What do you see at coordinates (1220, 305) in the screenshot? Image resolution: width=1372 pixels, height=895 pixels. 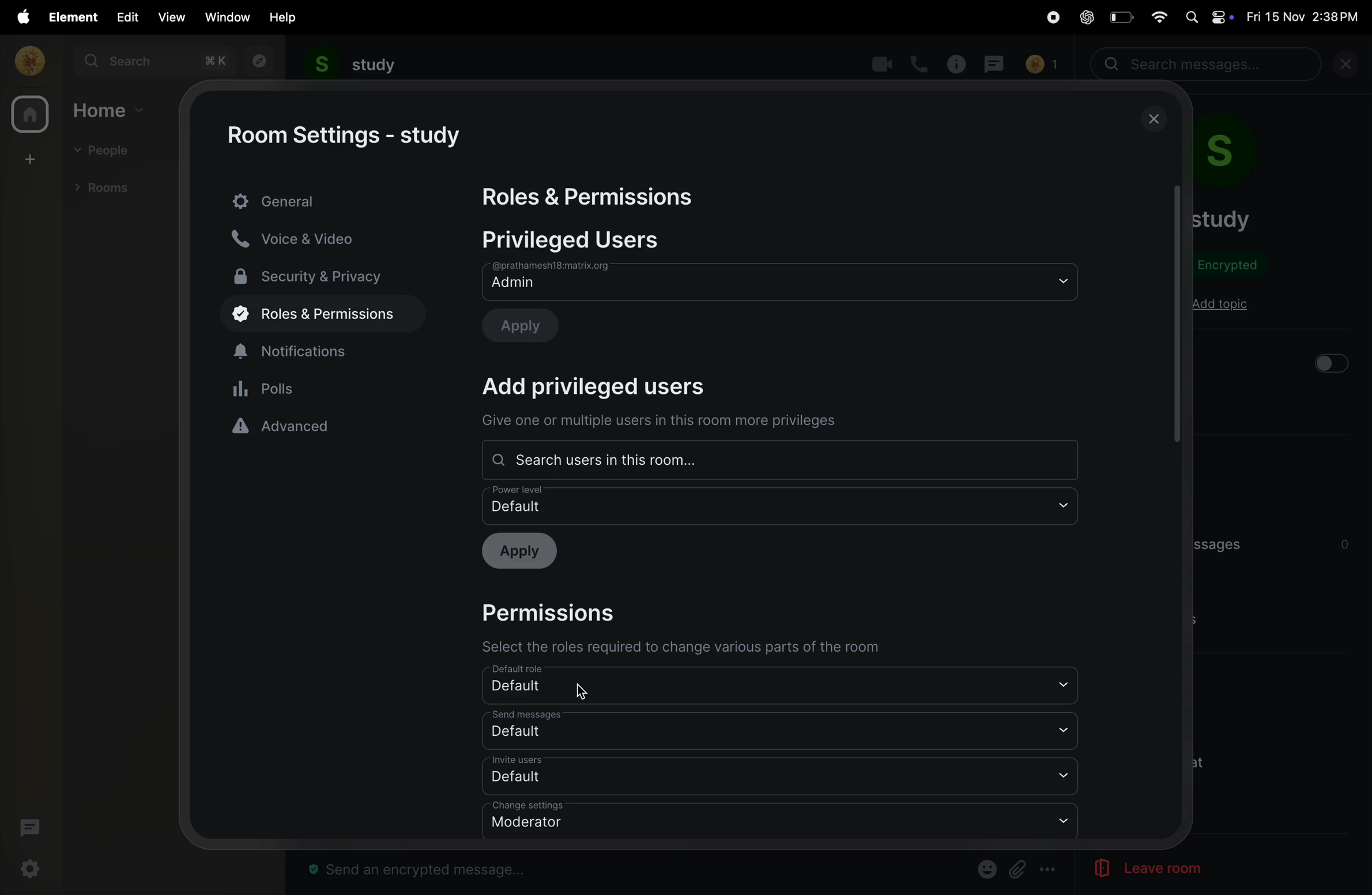 I see `add topic` at bounding box center [1220, 305].